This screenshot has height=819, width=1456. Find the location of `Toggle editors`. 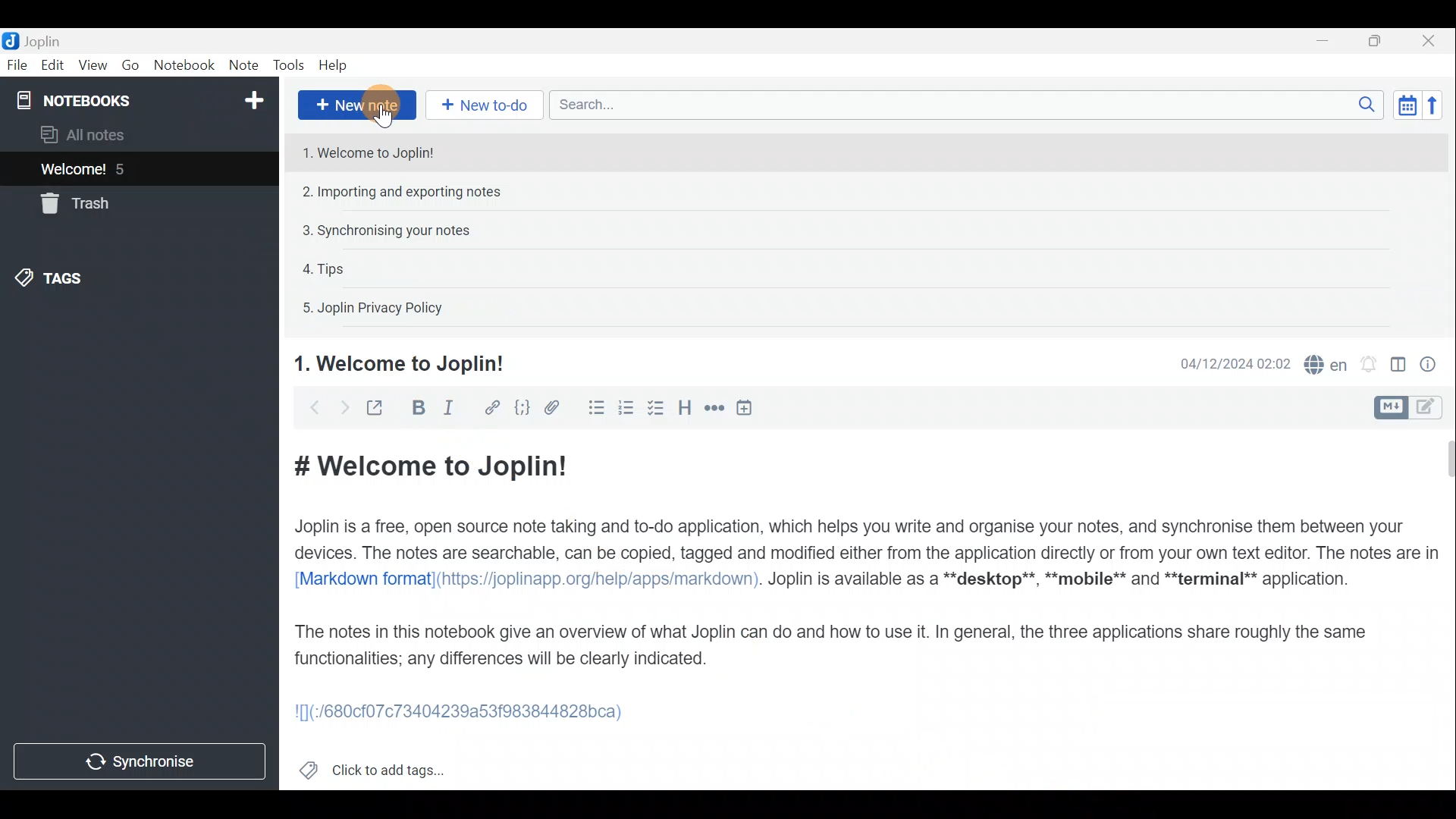

Toggle editors is located at coordinates (1389, 408).